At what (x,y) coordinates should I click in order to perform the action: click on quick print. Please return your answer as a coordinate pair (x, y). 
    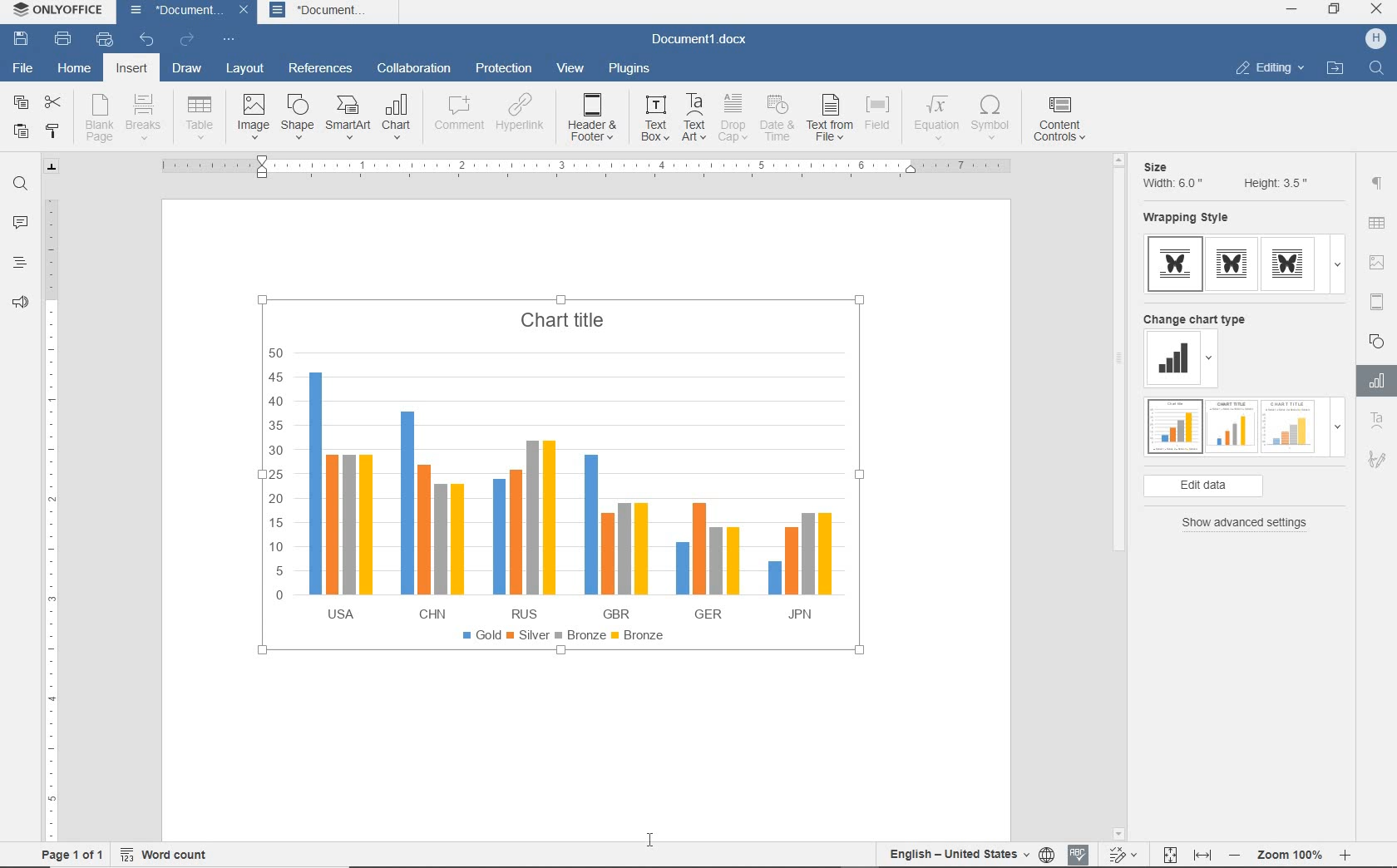
    Looking at the image, I should click on (103, 40).